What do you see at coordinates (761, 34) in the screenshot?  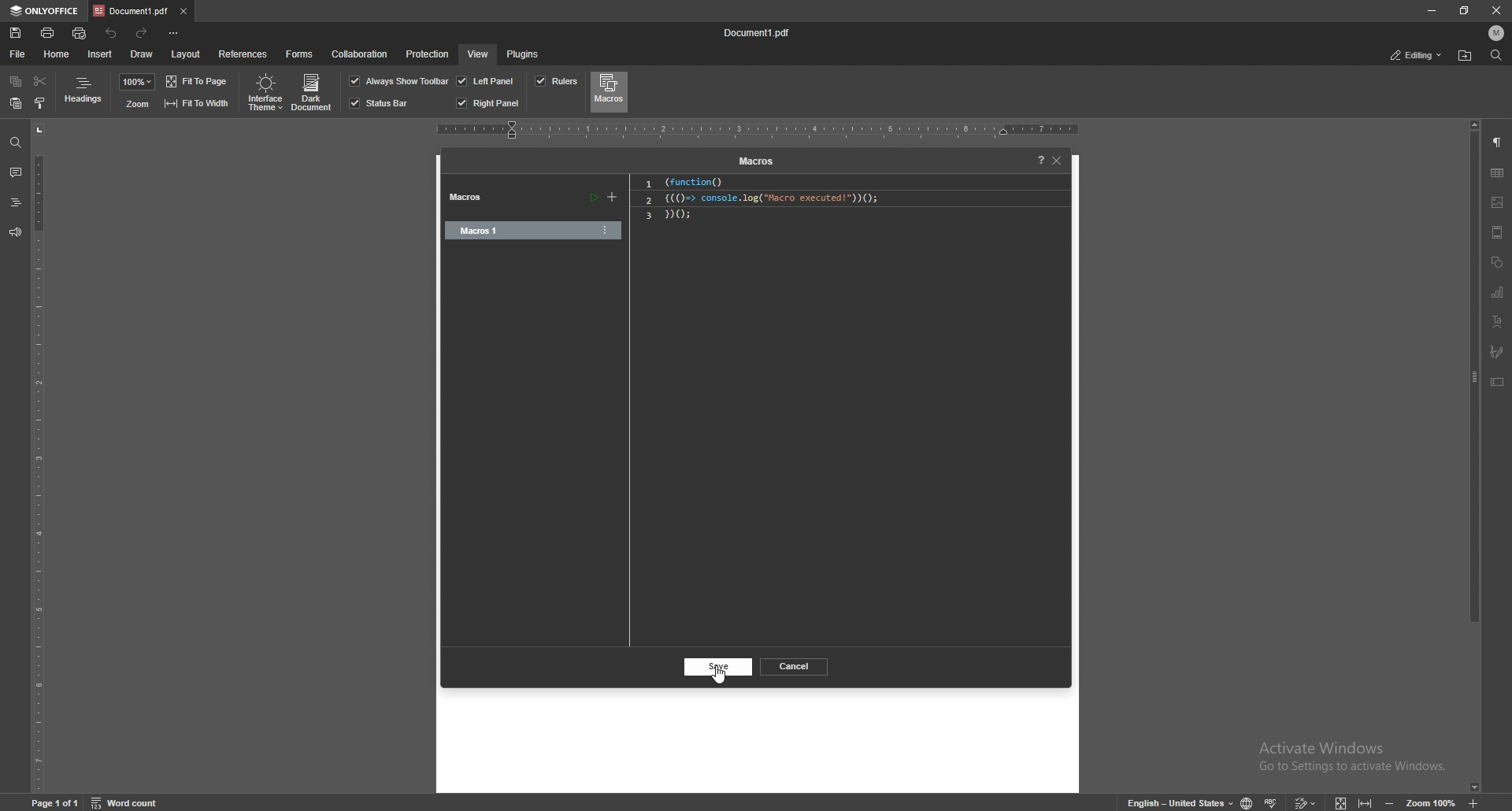 I see `file name` at bounding box center [761, 34].